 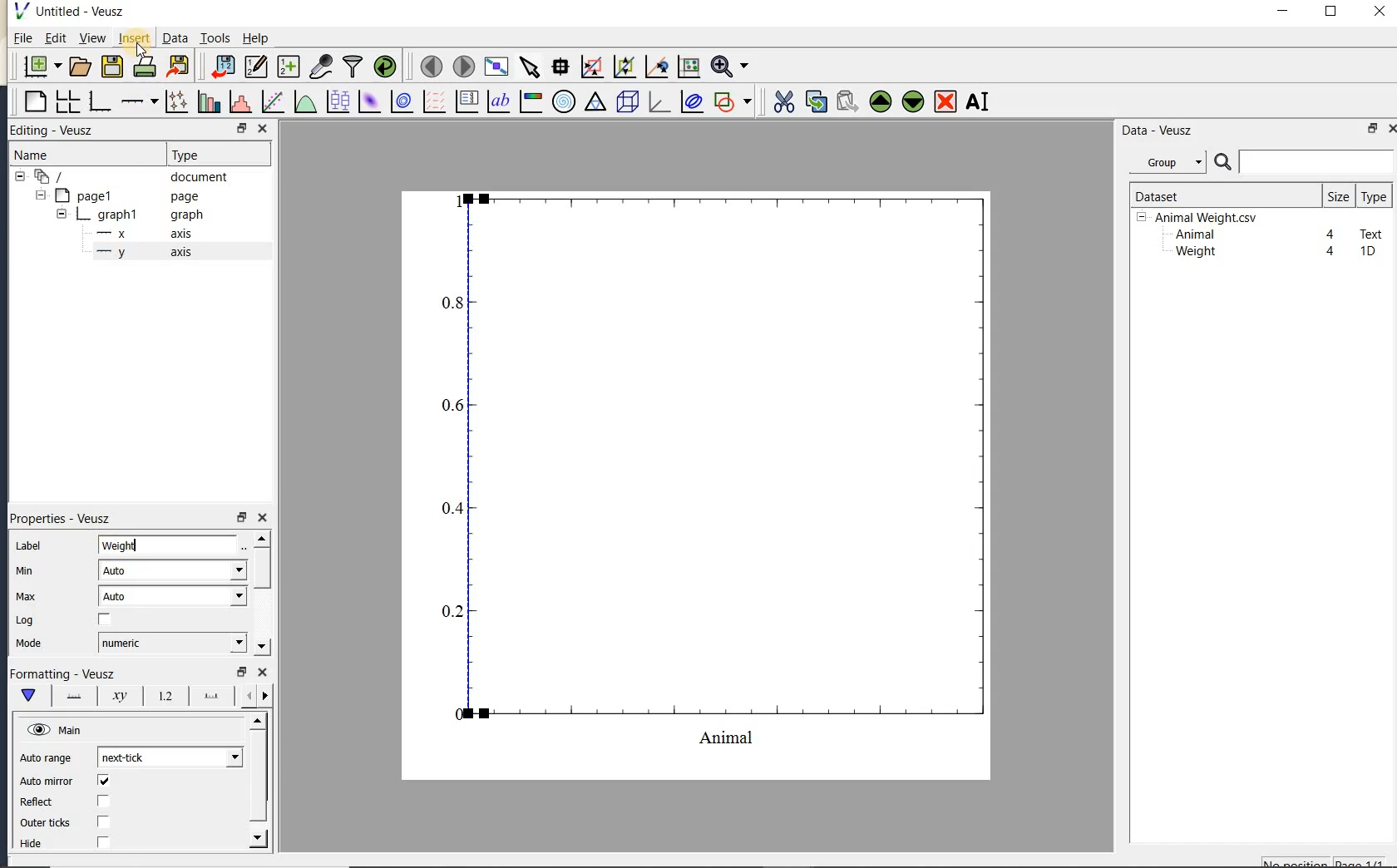 I want to click on axis label, so click(x=116, y=696).